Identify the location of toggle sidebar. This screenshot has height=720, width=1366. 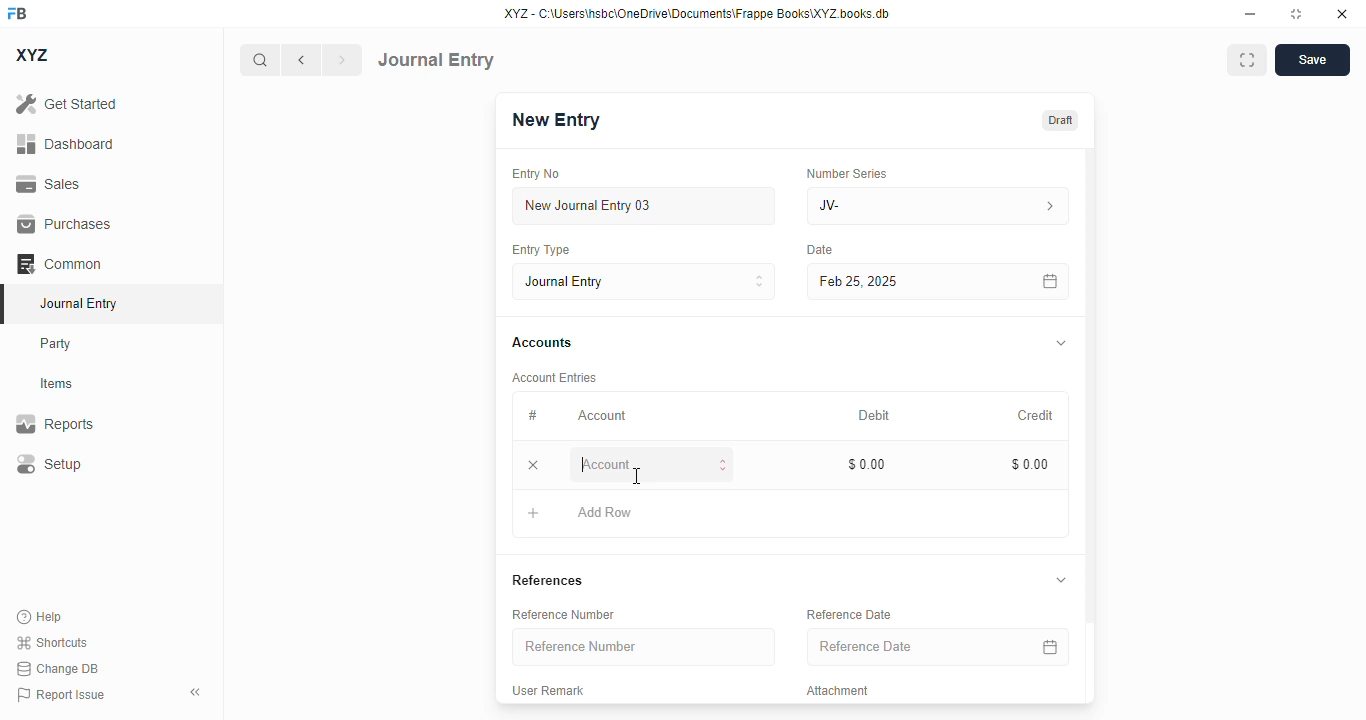
(197, 692).